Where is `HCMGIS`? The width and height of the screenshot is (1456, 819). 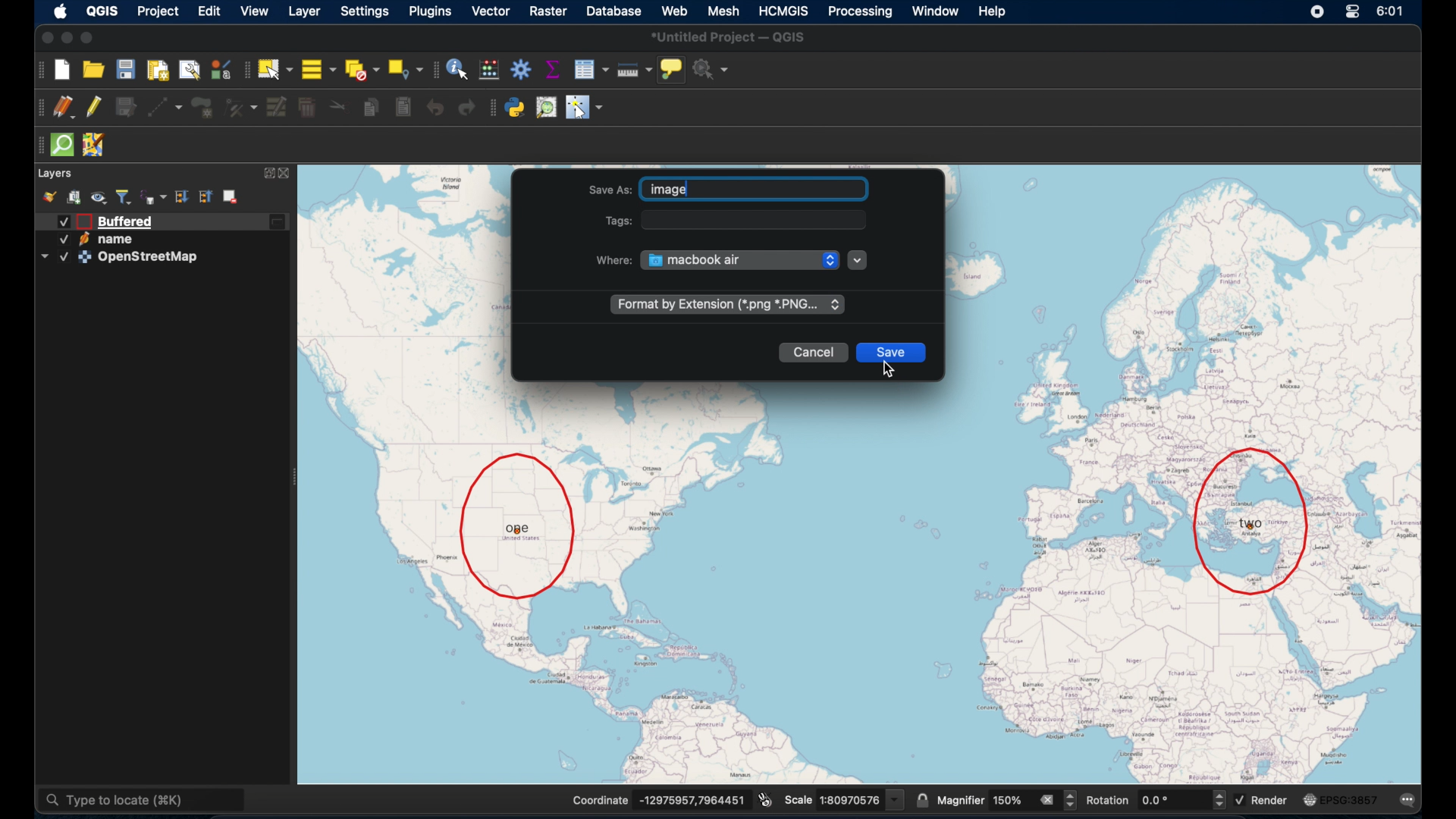 HCMGIS is located at coordinates (786, 11).